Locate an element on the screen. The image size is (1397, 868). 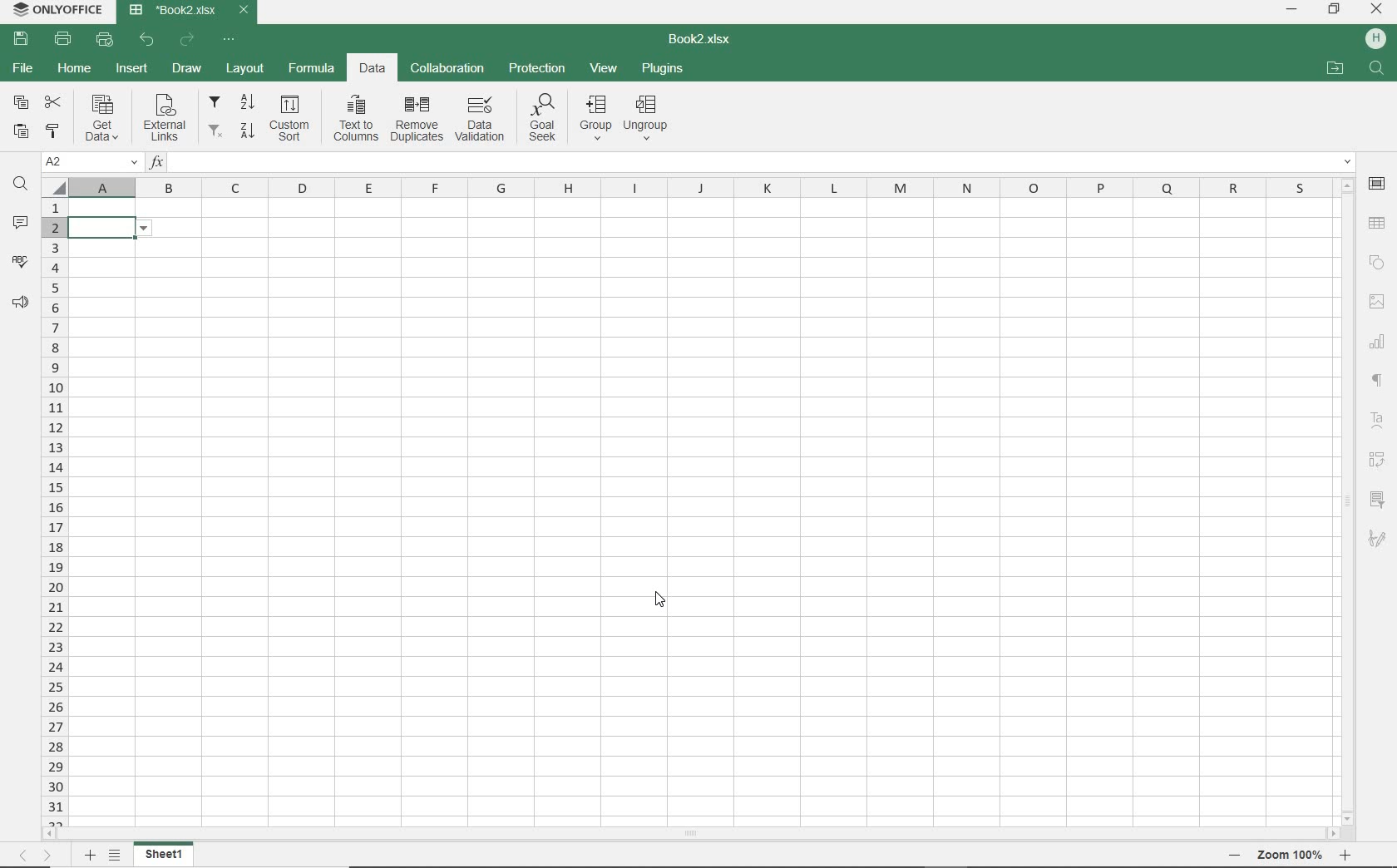
CELL SETTINGS is located at coordinates (1377, 184).